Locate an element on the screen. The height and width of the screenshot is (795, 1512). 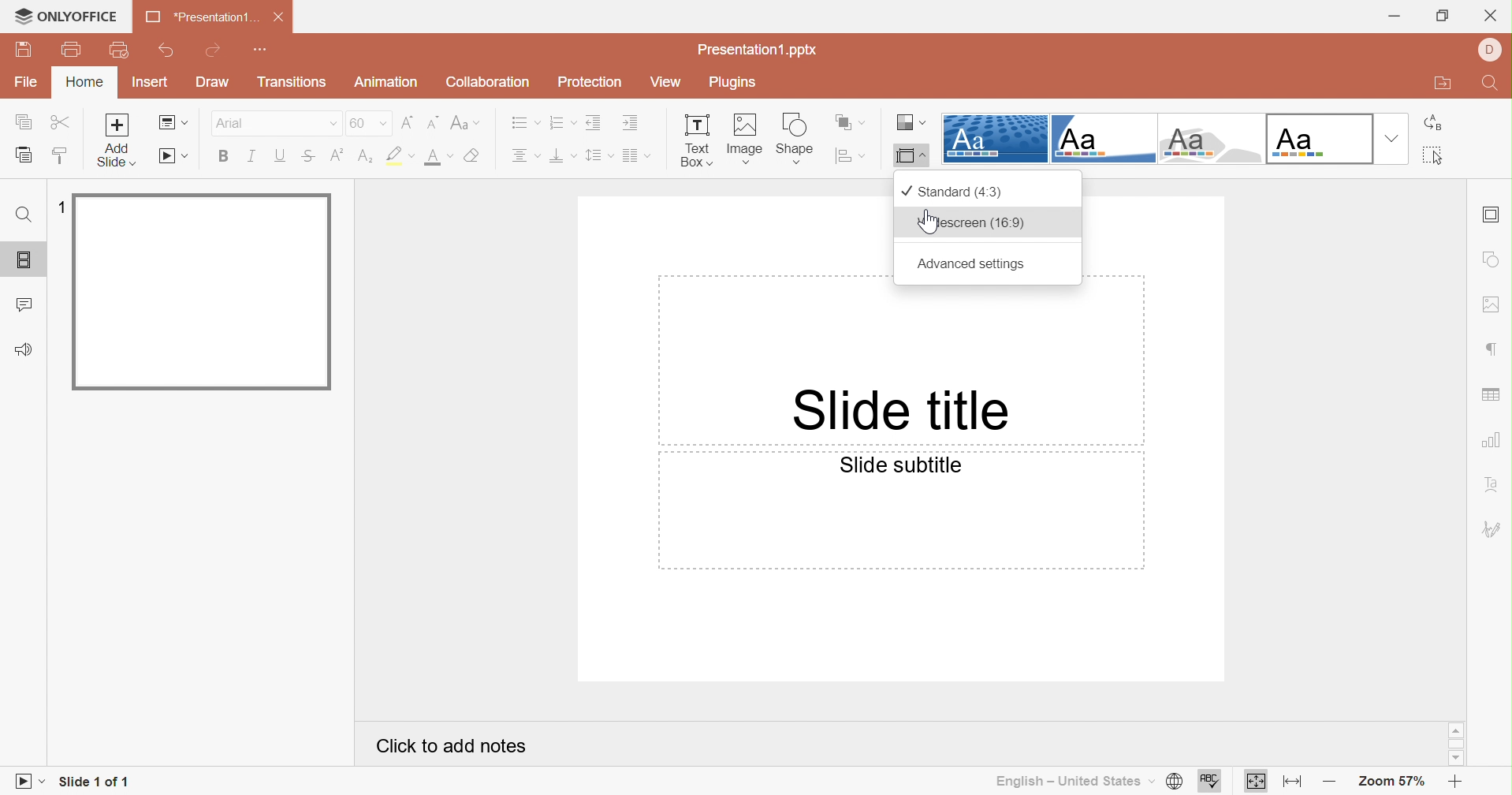
File is located at coordinates (27, 83).